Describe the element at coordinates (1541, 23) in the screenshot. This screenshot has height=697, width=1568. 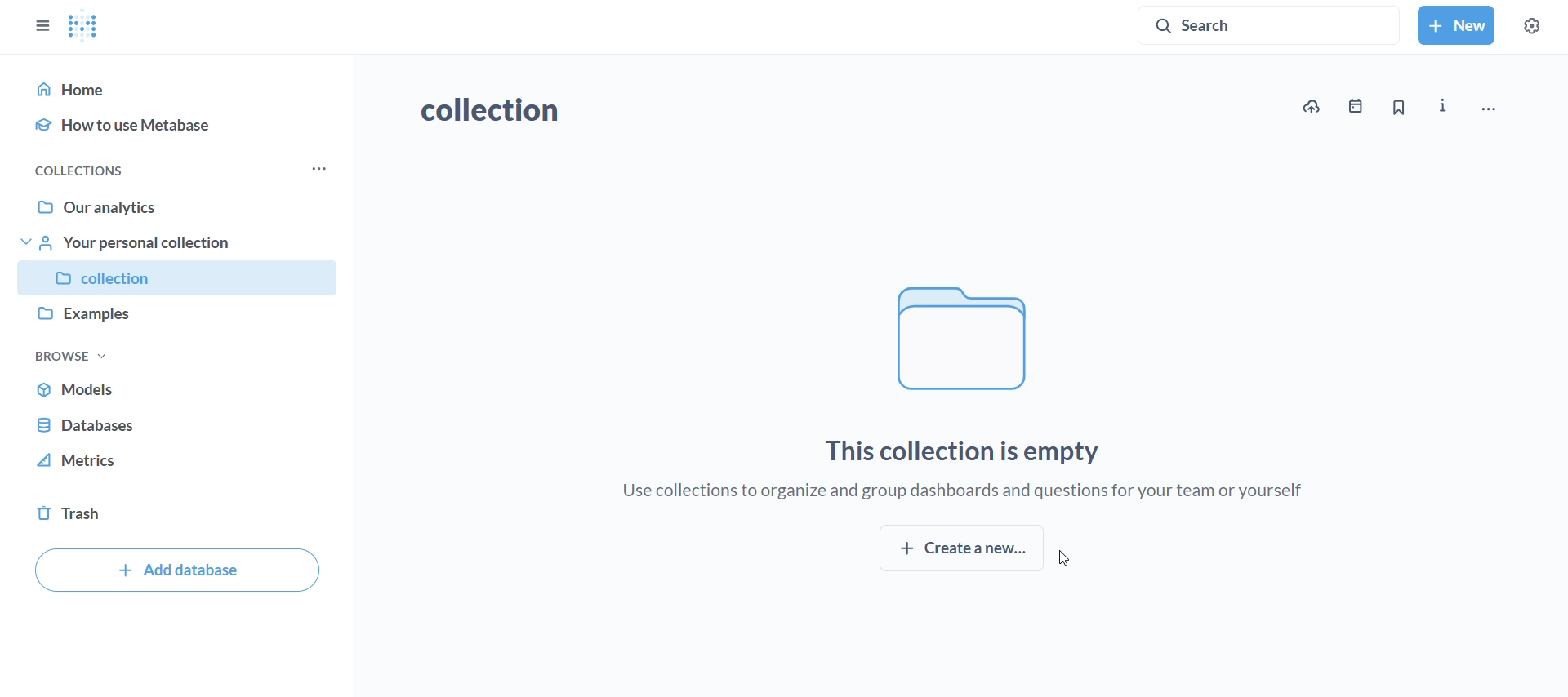
I see `settings` at that location.